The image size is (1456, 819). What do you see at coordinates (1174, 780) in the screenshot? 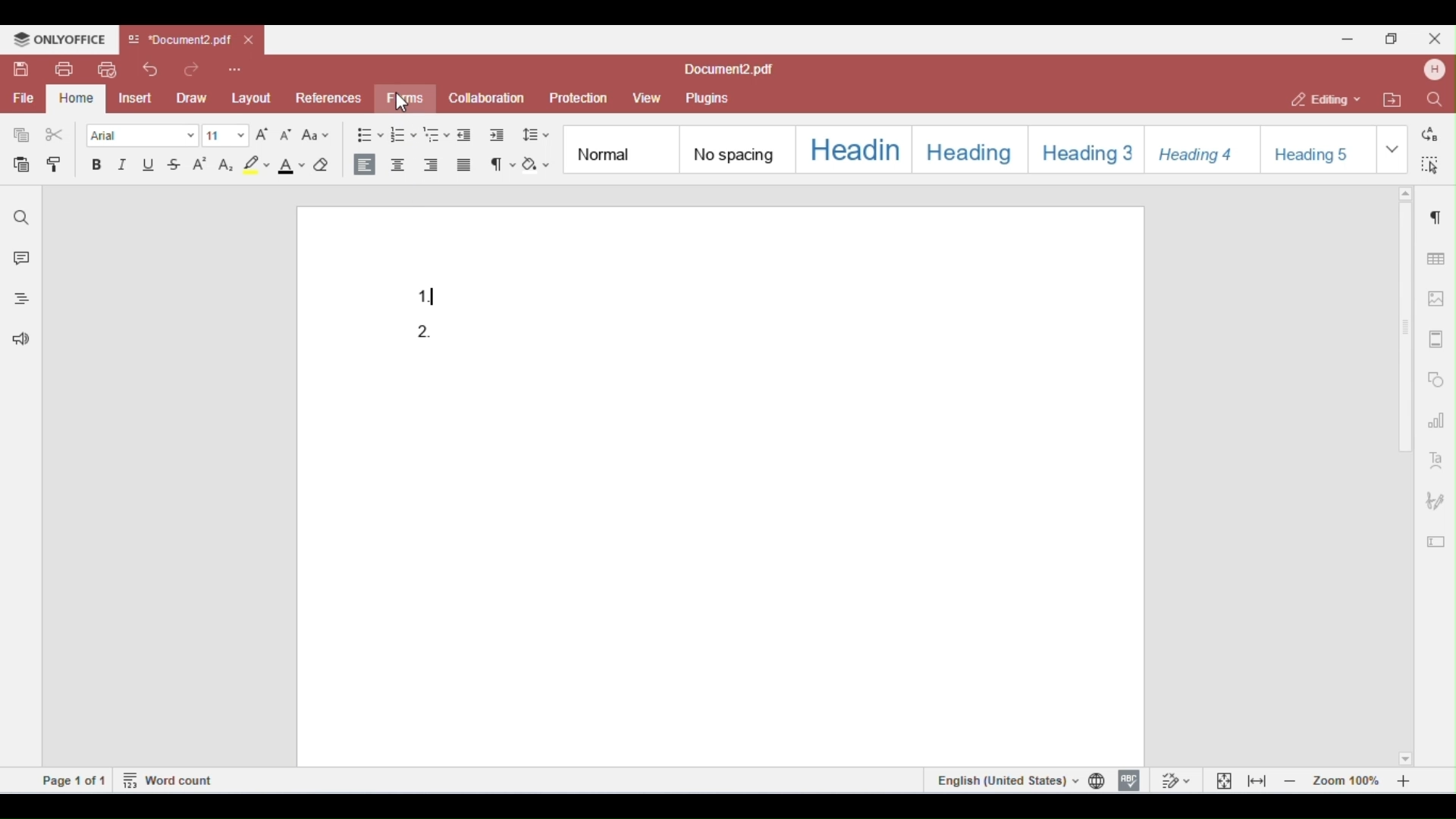
I see `track changes` at bounding box center [1174, 780].